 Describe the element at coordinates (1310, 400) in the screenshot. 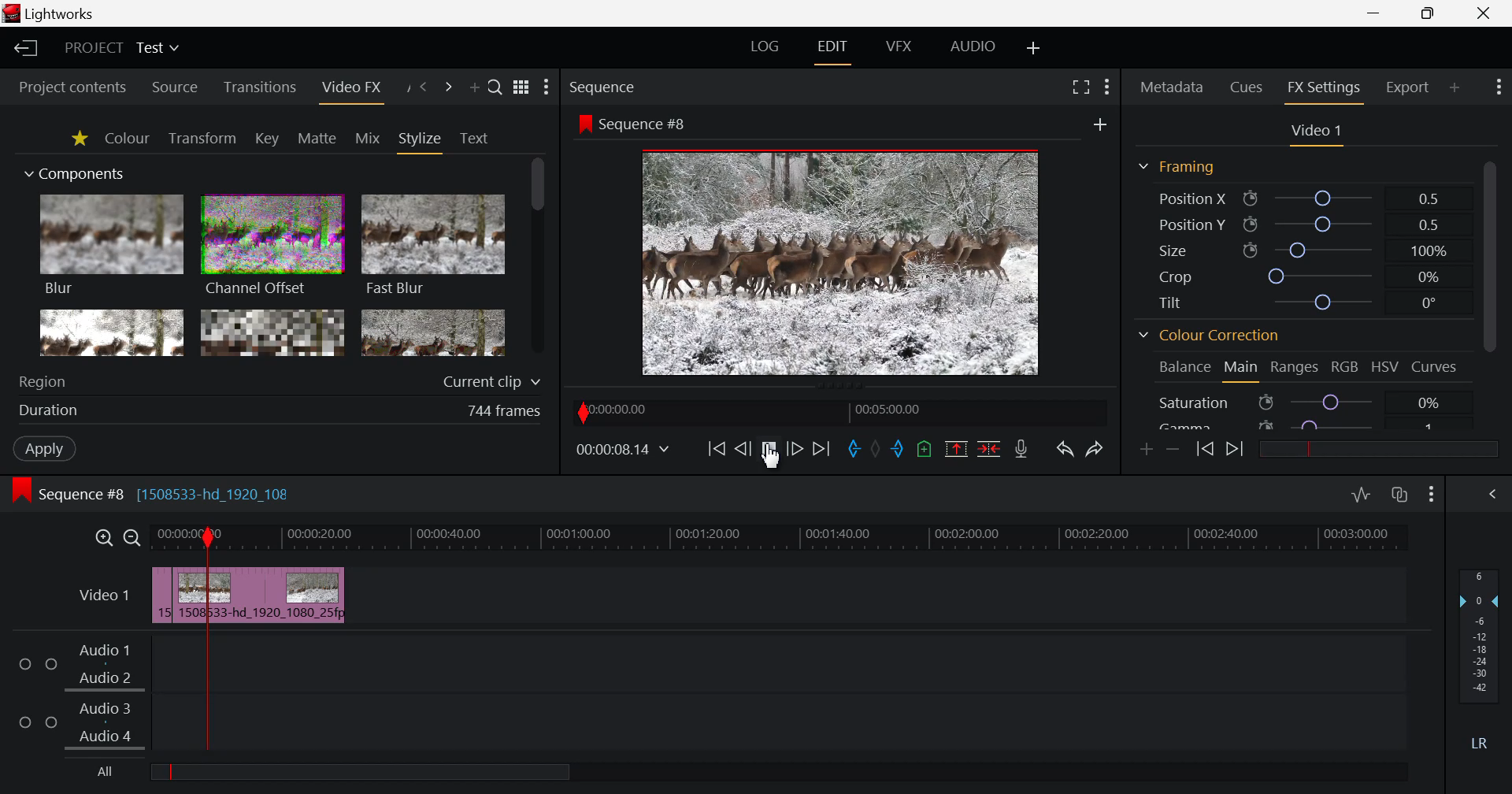

I see `Saturation` at that location.